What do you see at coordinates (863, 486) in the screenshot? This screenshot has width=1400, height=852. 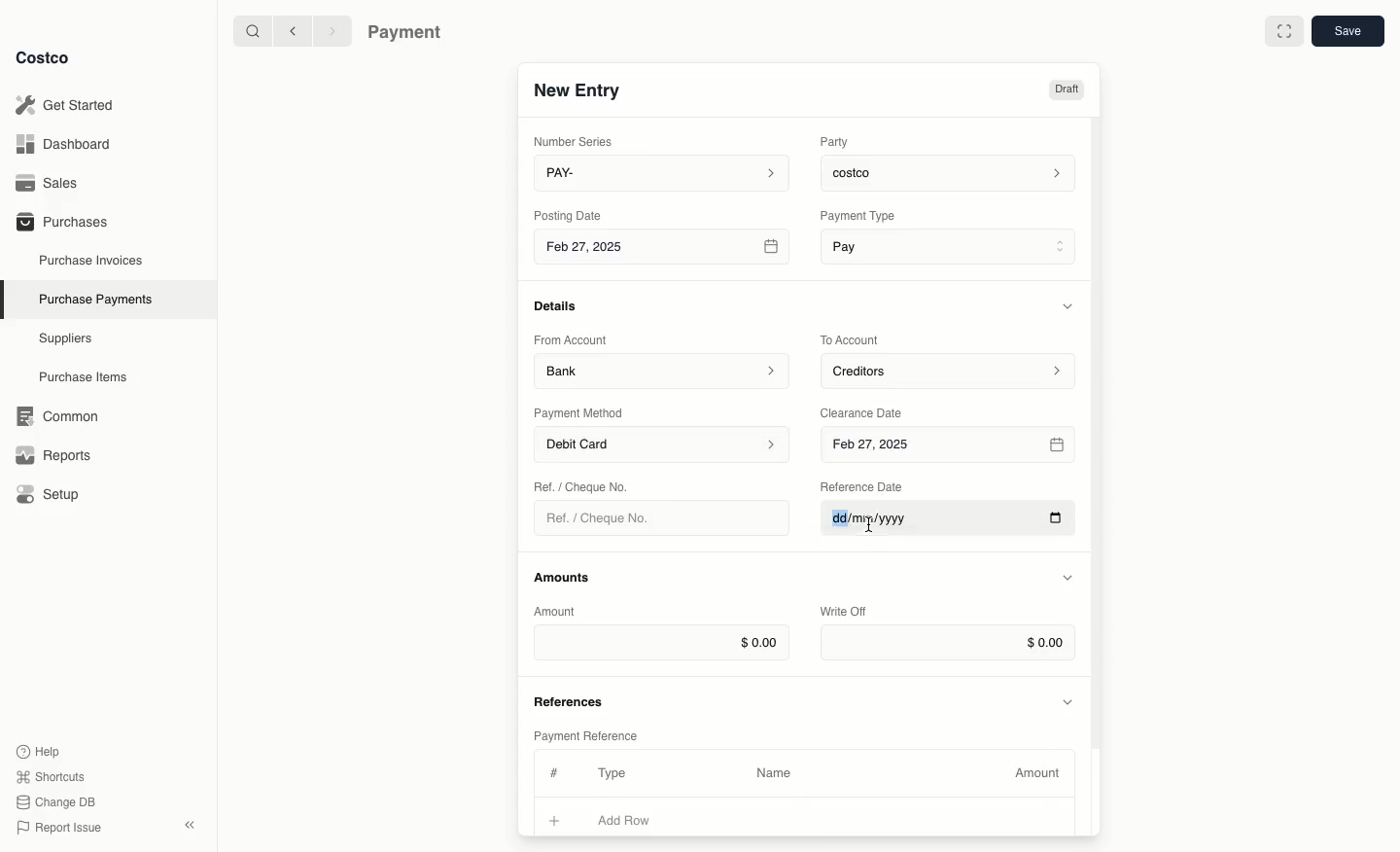 I see `‘Reference Date` at bounding box center [863, 486].